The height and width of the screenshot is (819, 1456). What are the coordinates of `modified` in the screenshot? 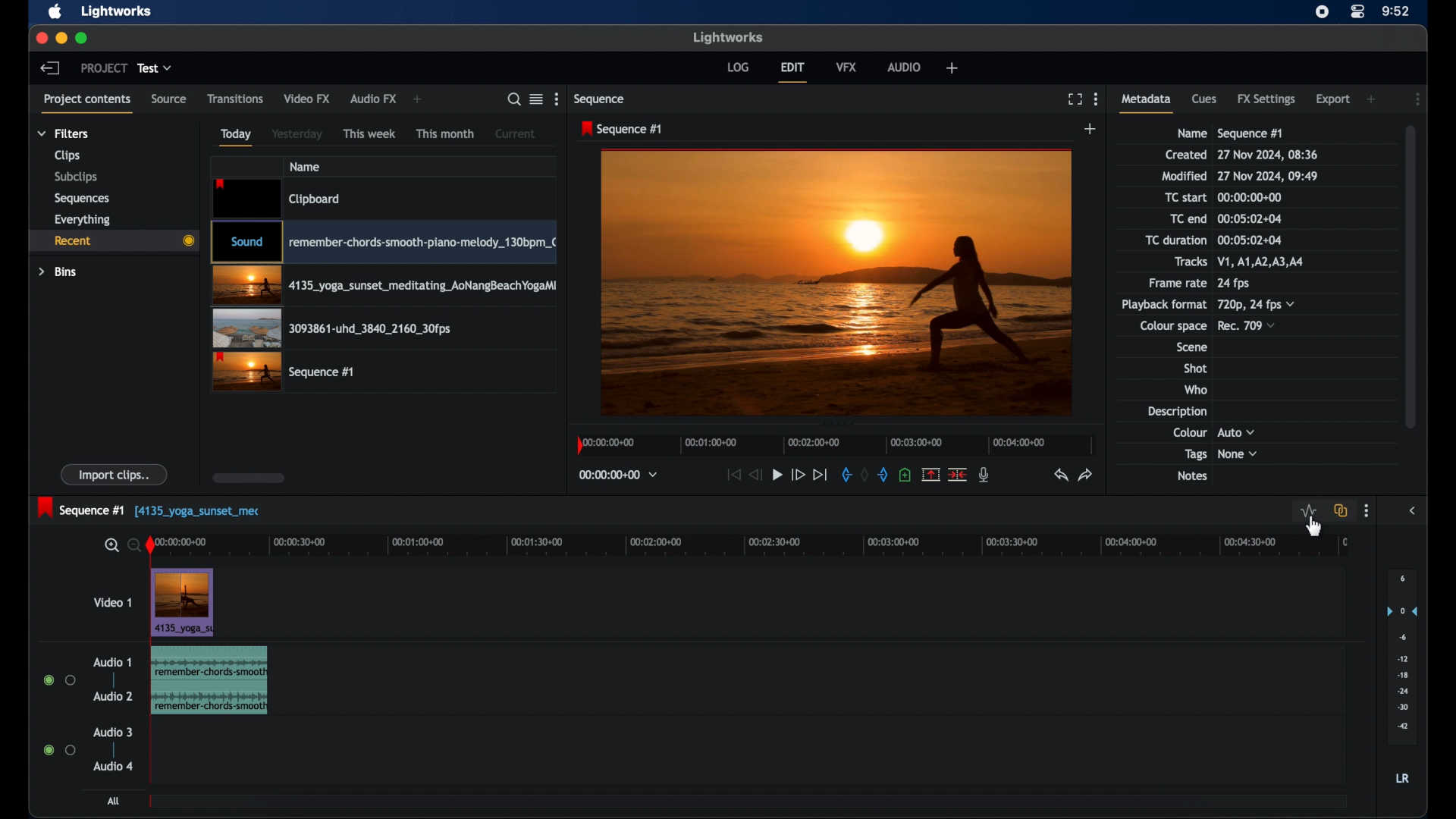 It's located at (1184, 176).